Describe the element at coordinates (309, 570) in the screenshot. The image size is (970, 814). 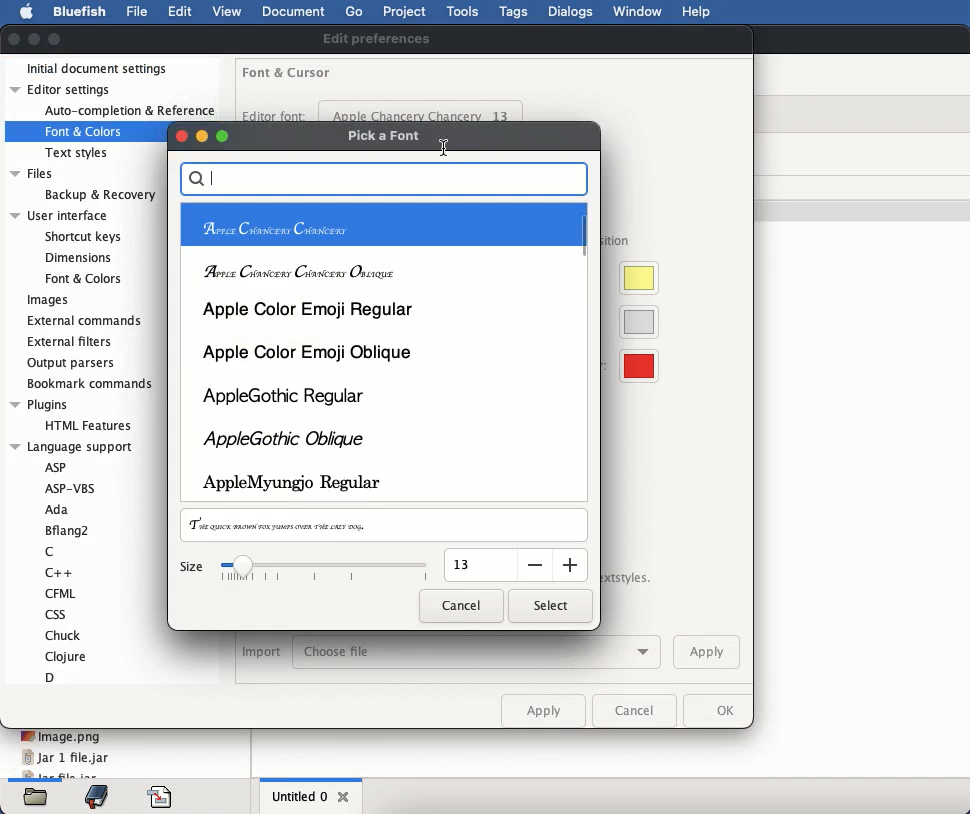
I see `size` at that location.